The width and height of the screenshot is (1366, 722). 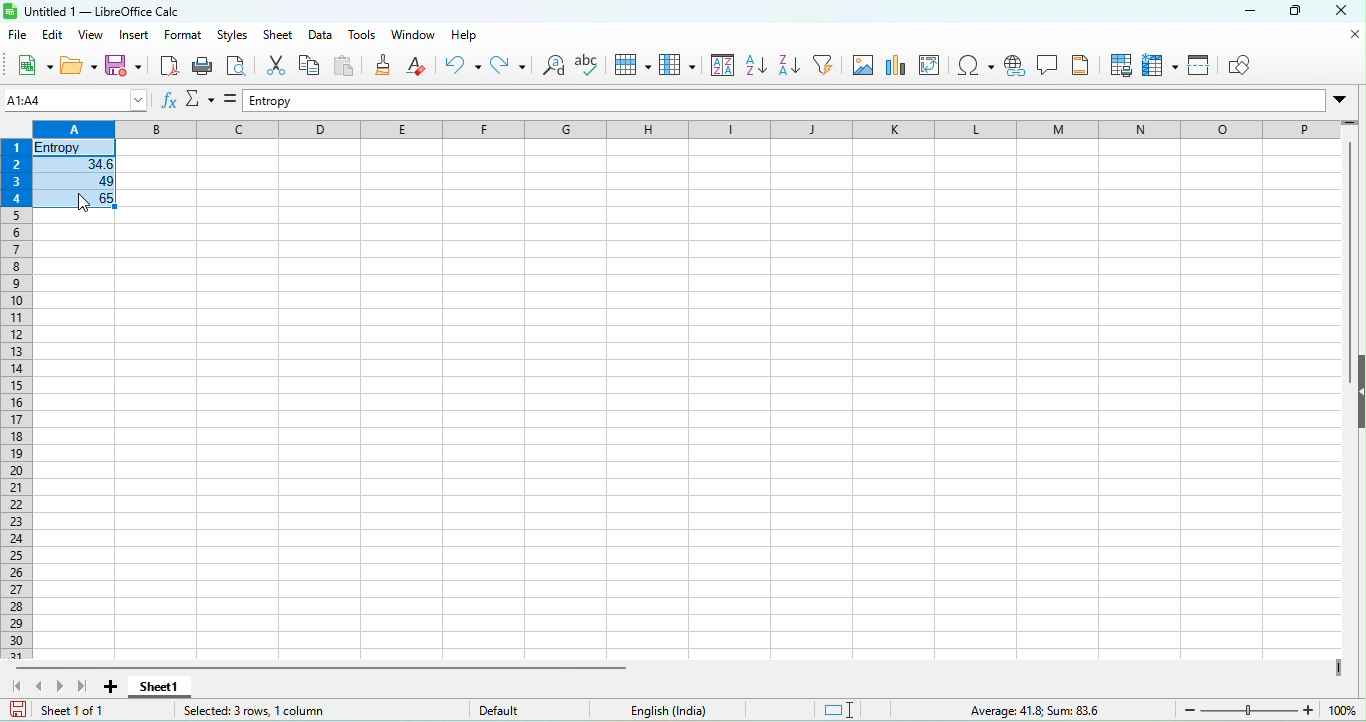 I want to click on help, so click(x=470, y=36).